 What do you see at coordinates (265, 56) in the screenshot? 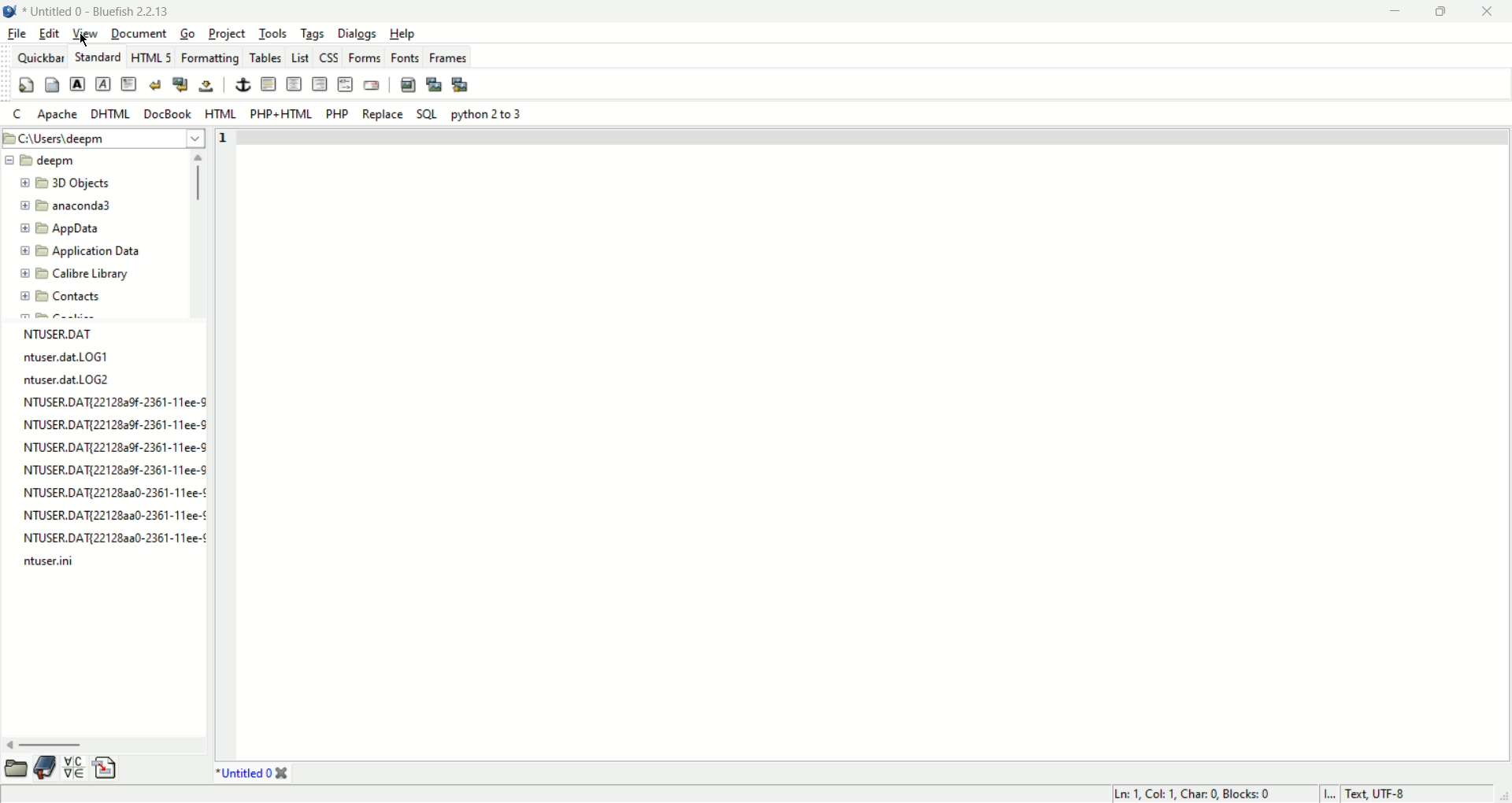
I see `tables` at bounding box center [265, 56].